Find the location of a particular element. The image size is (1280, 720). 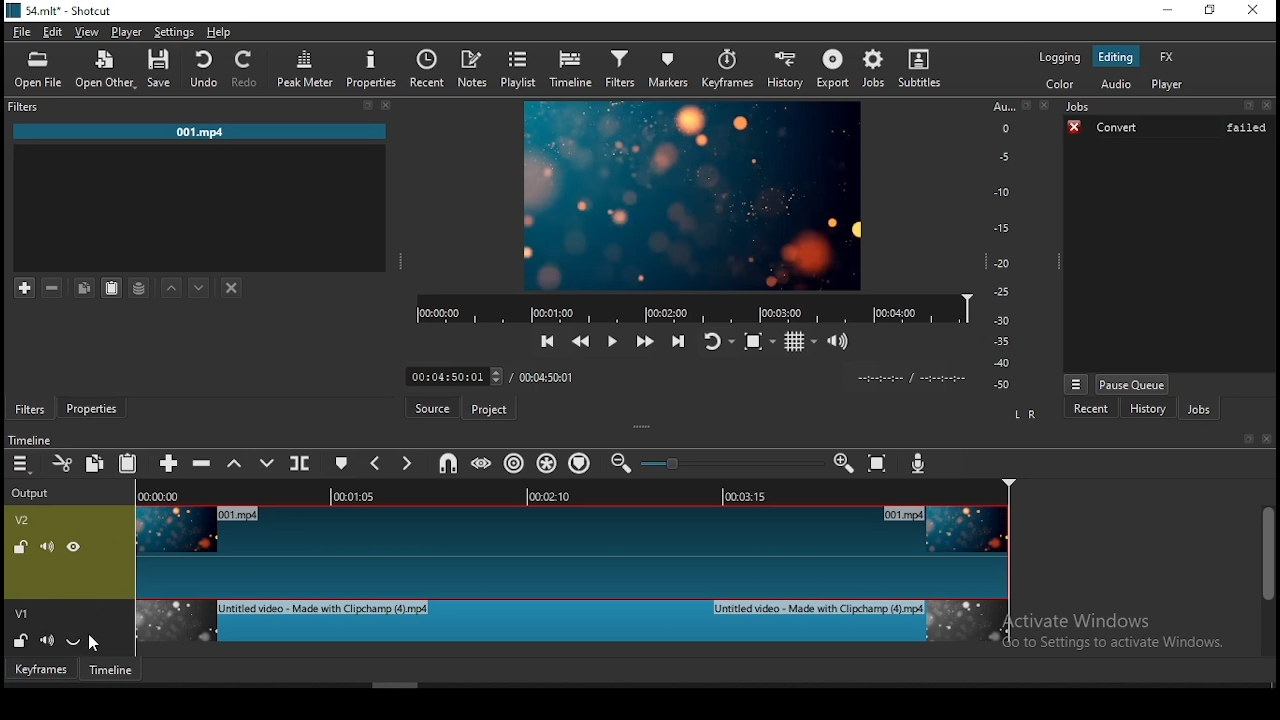

54 mlt* -shotcut is located at coordinates (57, 10).